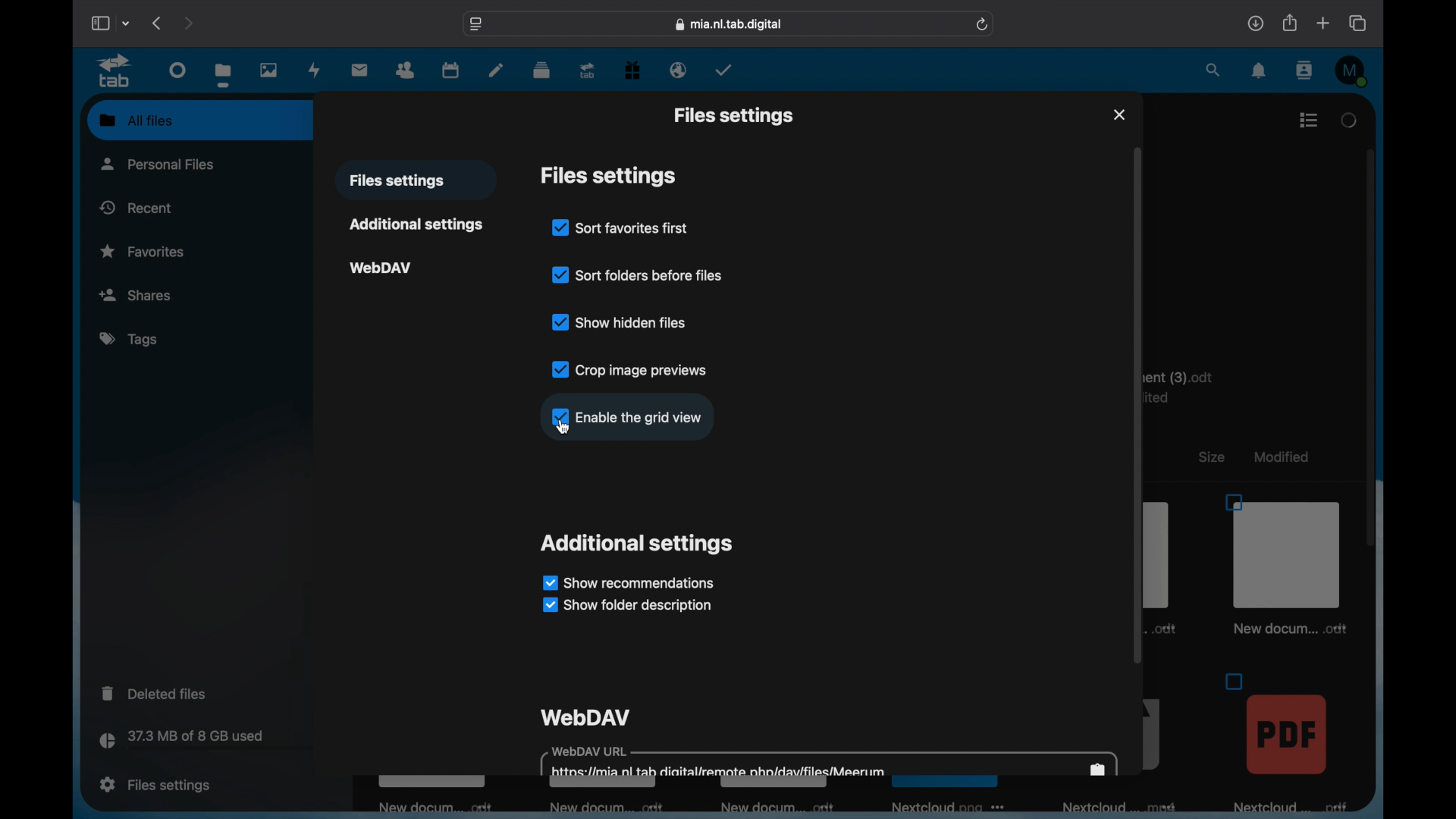 The width and height of the screenshot is (1456, 819). I want to click on files settings, so click(397, 181).